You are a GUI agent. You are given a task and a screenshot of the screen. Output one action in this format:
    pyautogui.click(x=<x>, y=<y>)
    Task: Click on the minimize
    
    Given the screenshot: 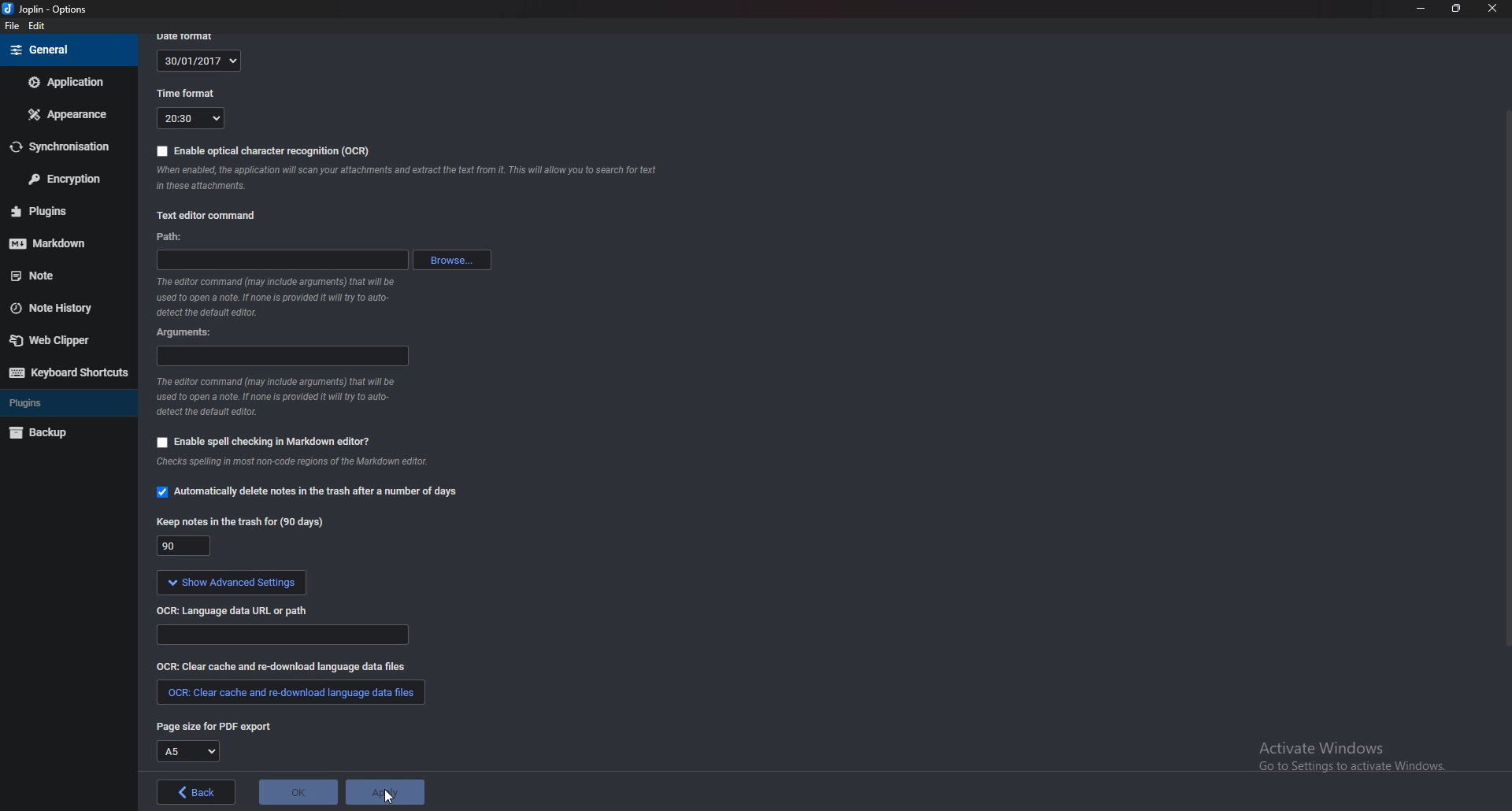 What is the action you would take?
    pyautogui.click(x=1421, y=10)
    